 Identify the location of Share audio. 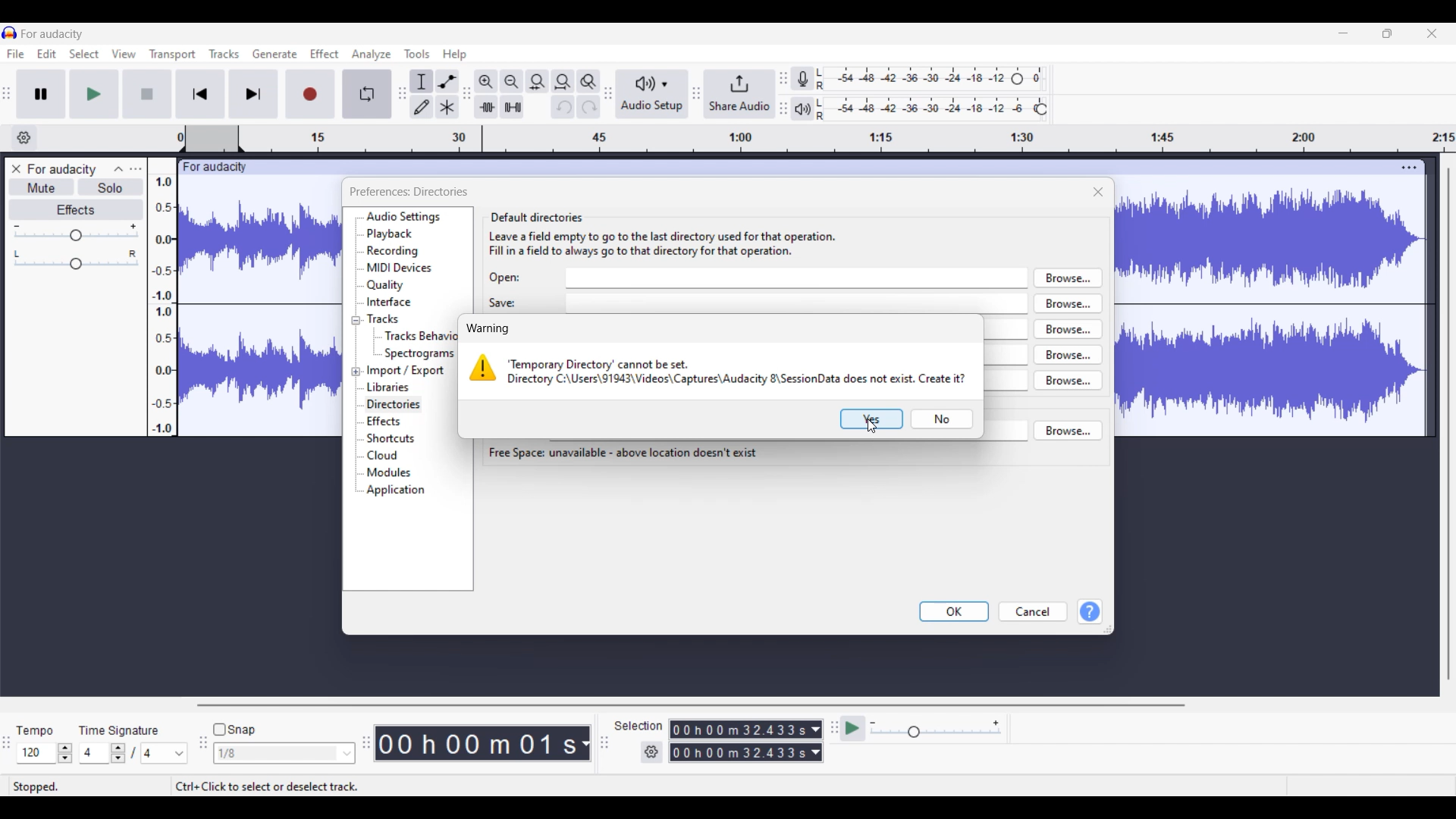
(740, 93).